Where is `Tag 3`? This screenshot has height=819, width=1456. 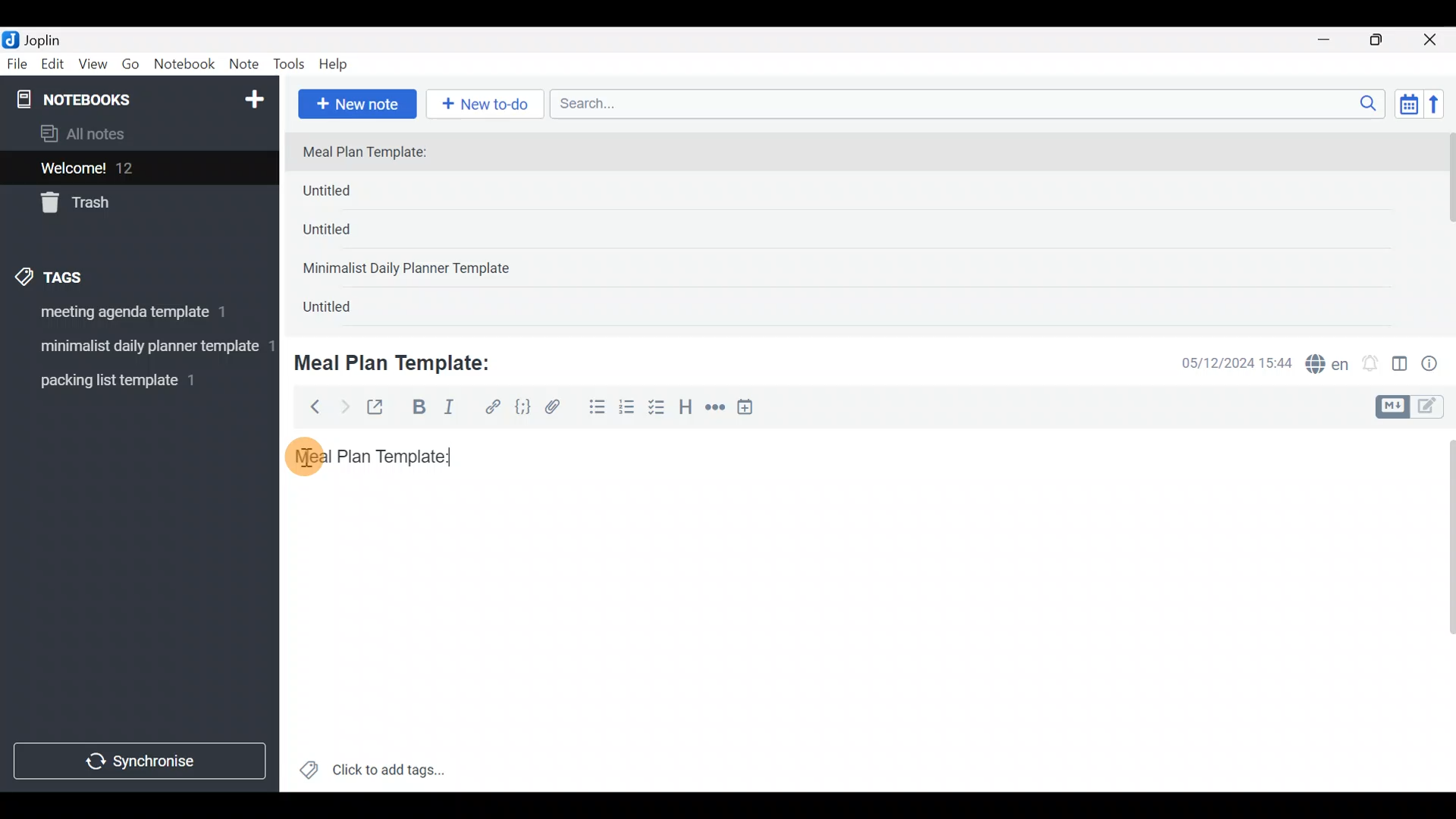
Tag 3 is located at coordinates (134, 380).